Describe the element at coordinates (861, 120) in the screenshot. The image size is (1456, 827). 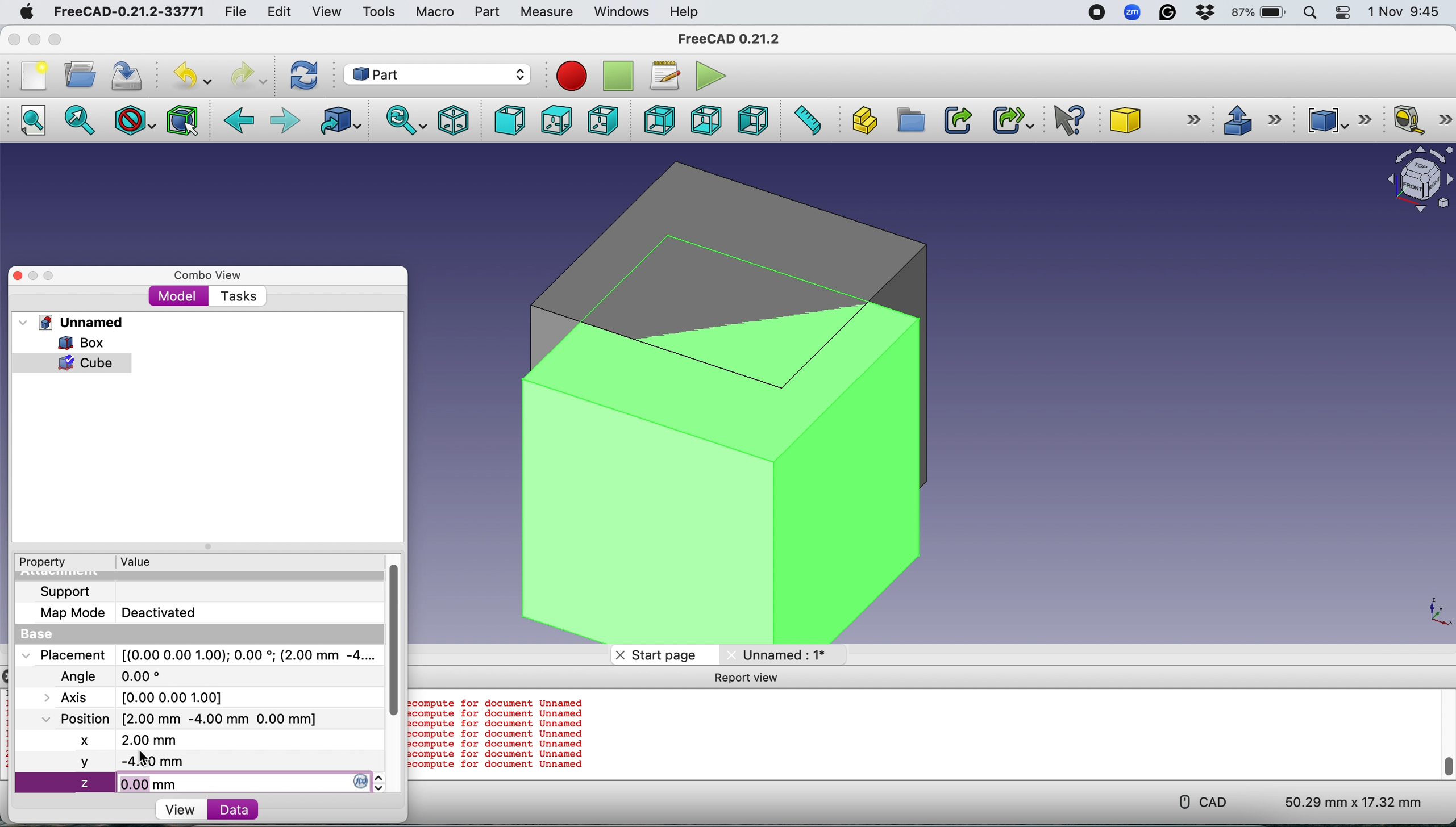
I see `Create part` at that location.